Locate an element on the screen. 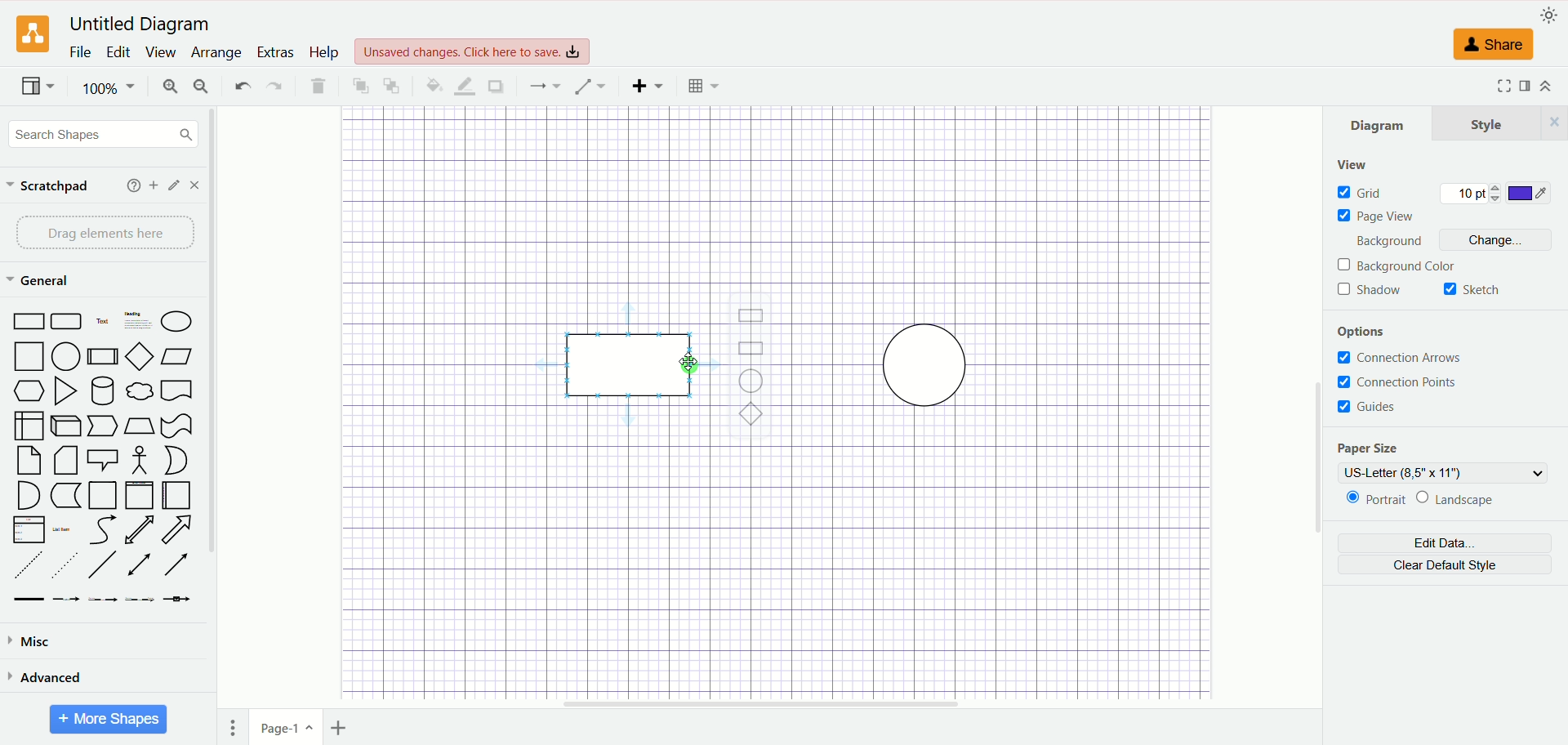 The width and height of the screenshot is (1568, 745). Divided Bar is located at coordinates (103, 356).